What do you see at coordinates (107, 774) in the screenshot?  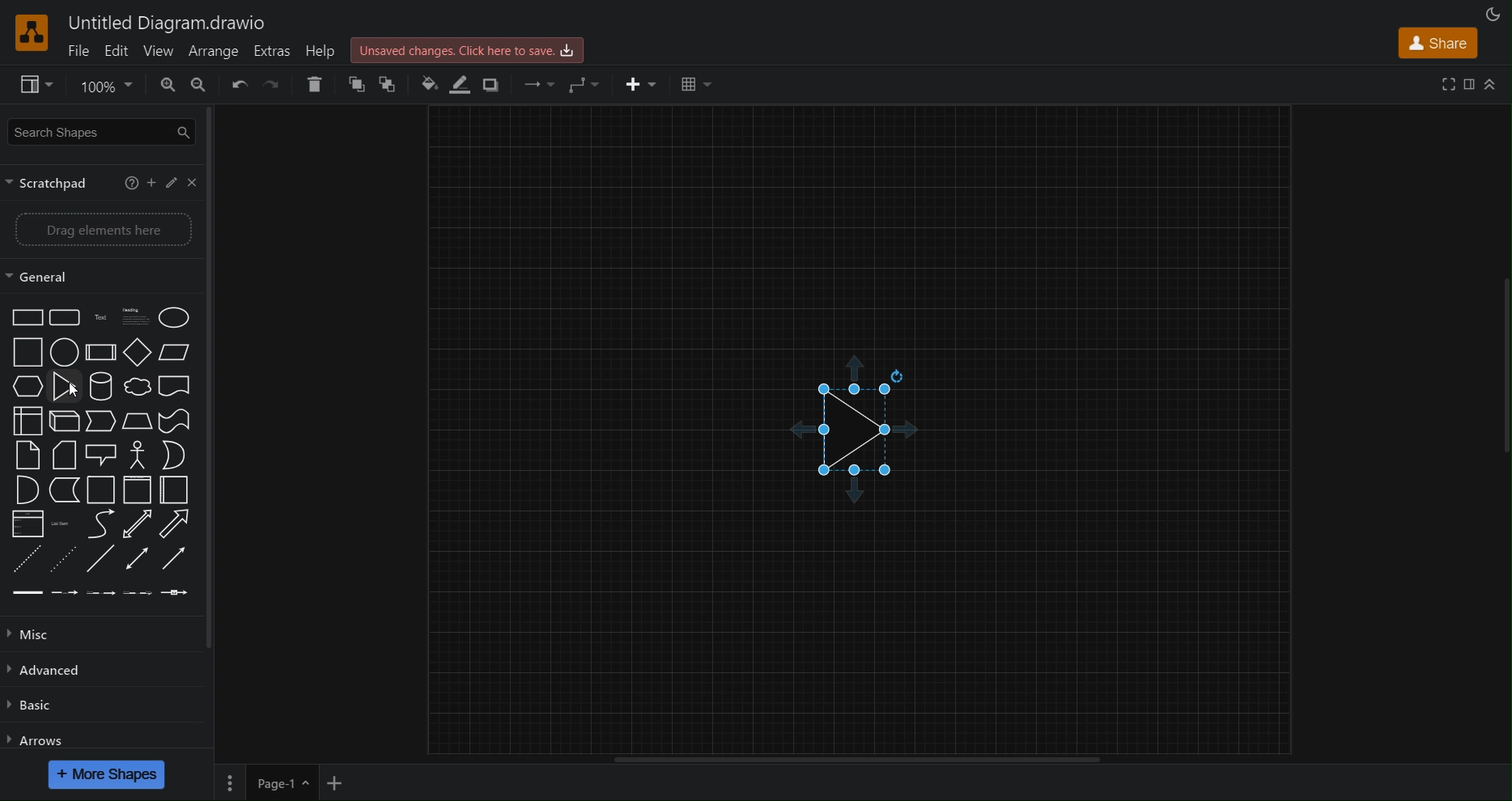 I see `More Shapes` at bounding box center [107, 774].